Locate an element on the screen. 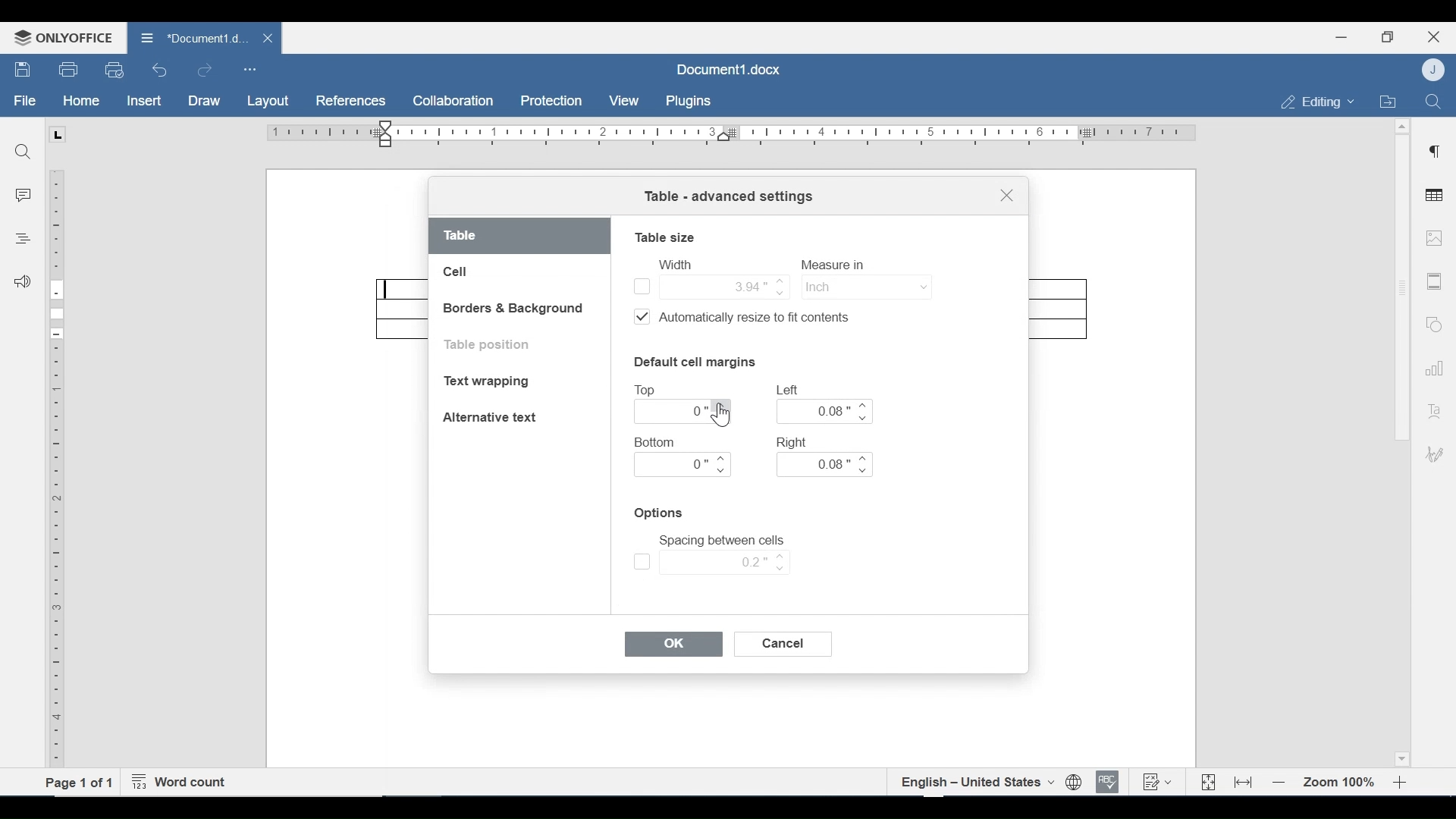 This screenshot has width=1456, height=819. 0 is located at coordinates (683, 465).